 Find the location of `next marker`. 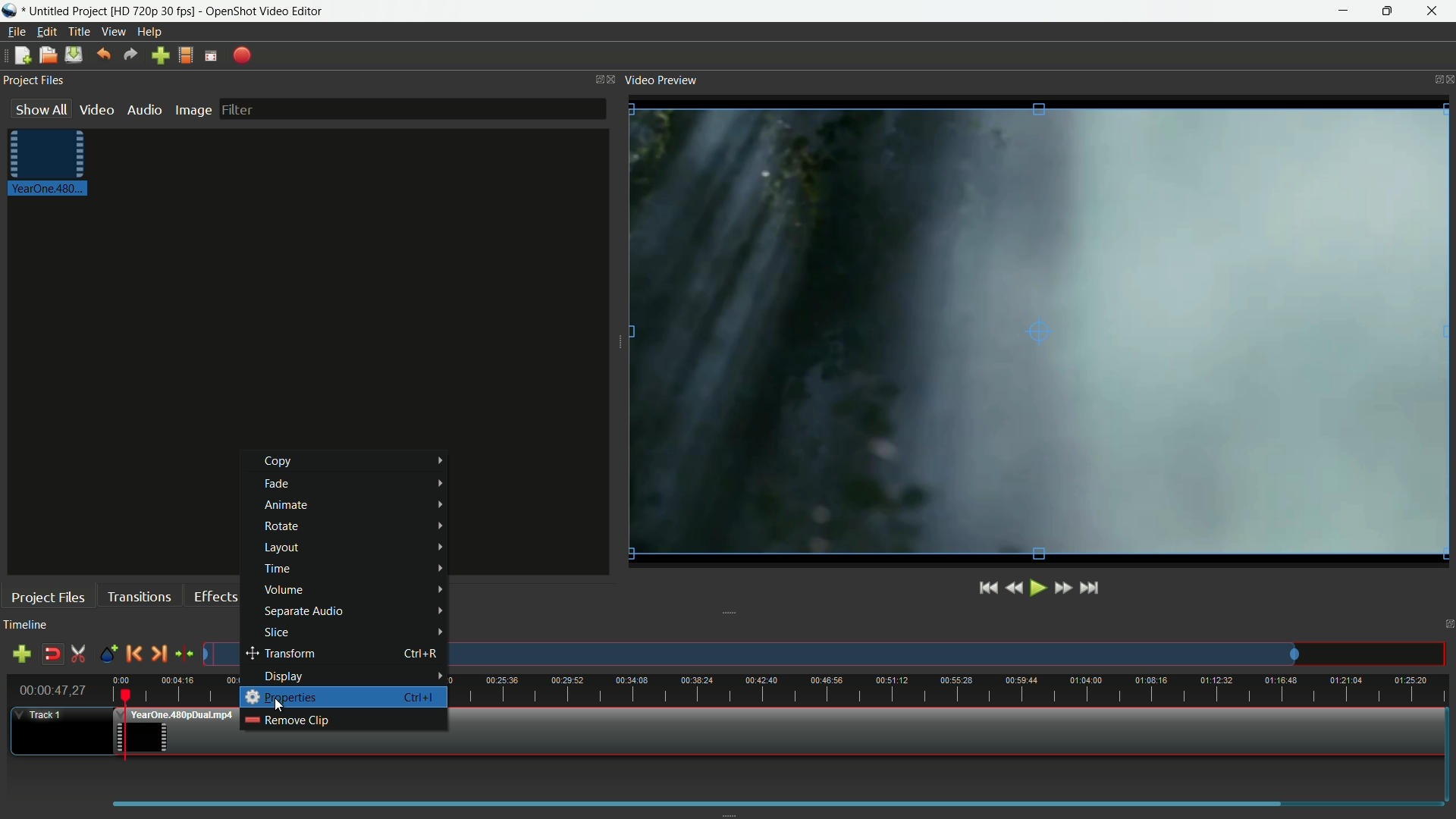

next marker is located at coordinates (156, 654).